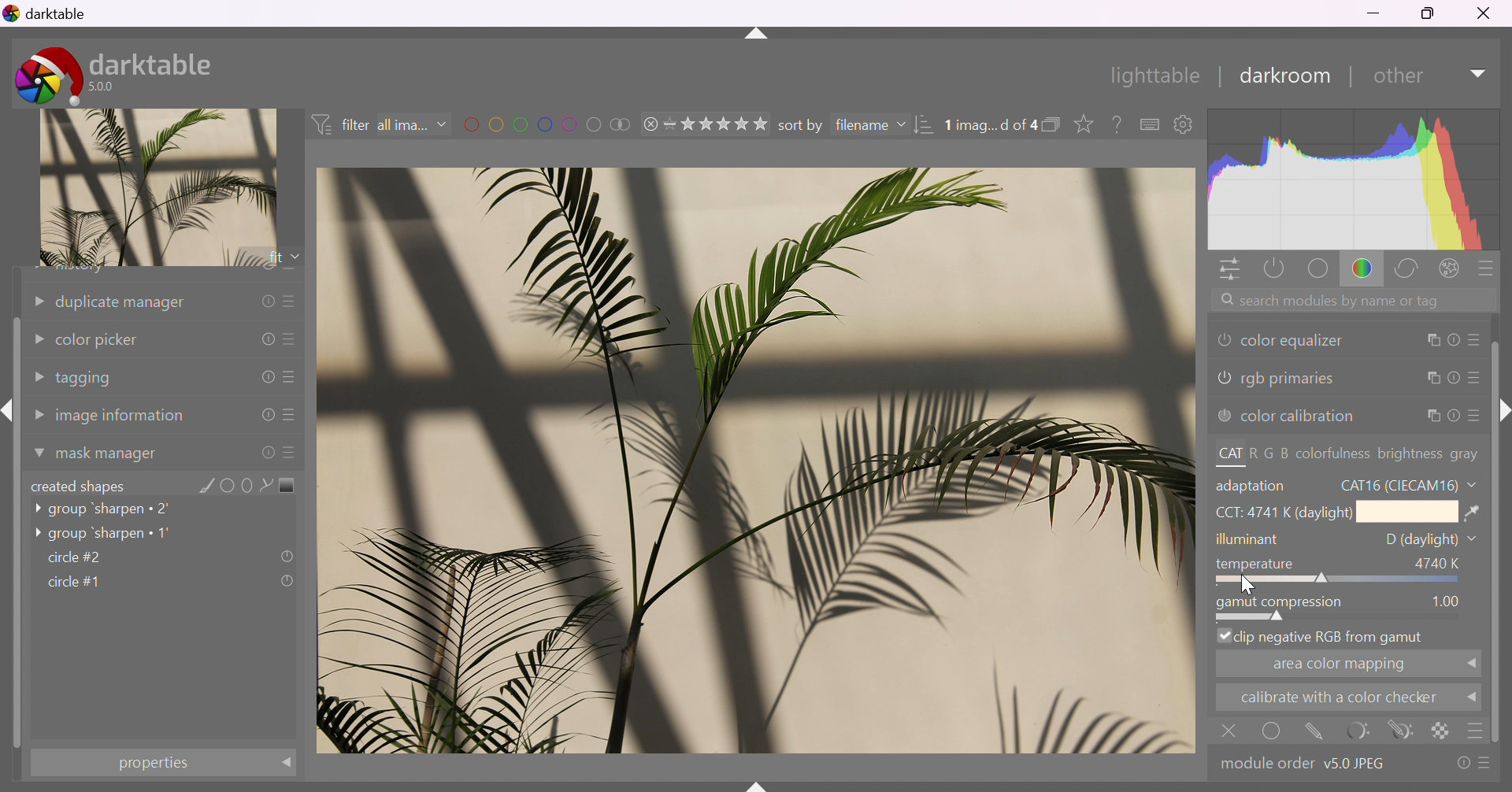 The height and width of the screenshot is (792, 1512). What do you see at coordinates (1116, 125) in the screenshot?
I see `enable this, then click on a control element to see its online help` at bounding box center [1116, 125].